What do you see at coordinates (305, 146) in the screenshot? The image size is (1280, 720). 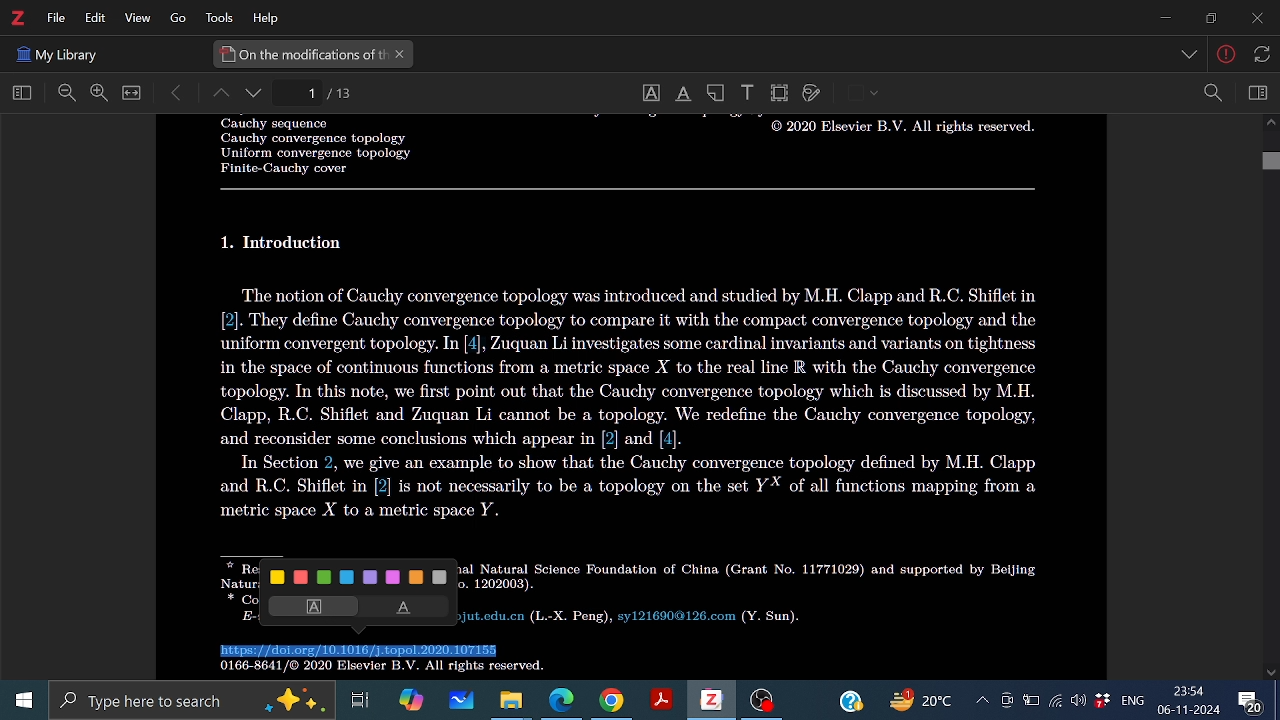 I see `` at bounding box center [305, 146].